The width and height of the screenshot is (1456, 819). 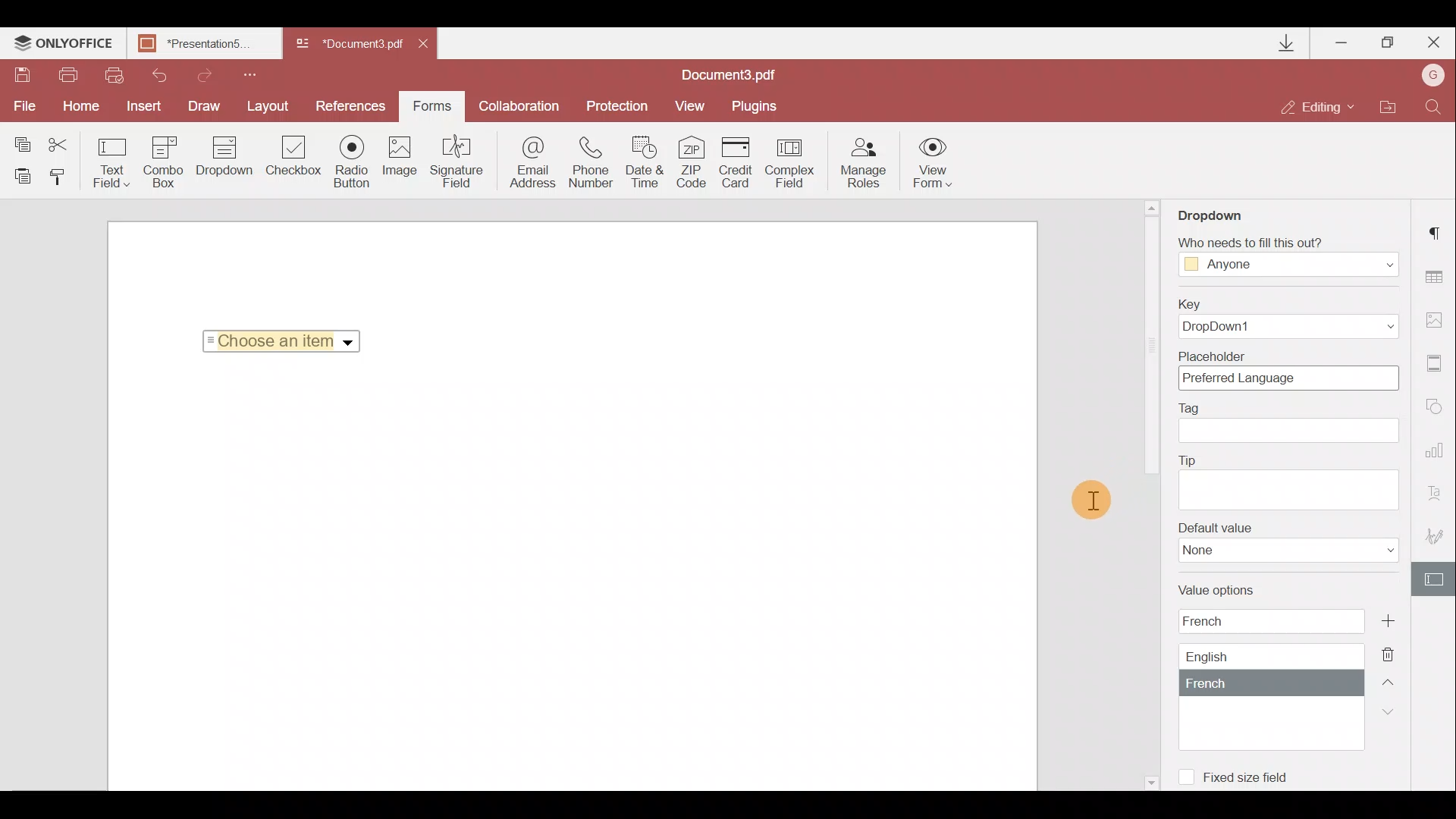 I want to click on Date & time, so click(x=646, y=165).